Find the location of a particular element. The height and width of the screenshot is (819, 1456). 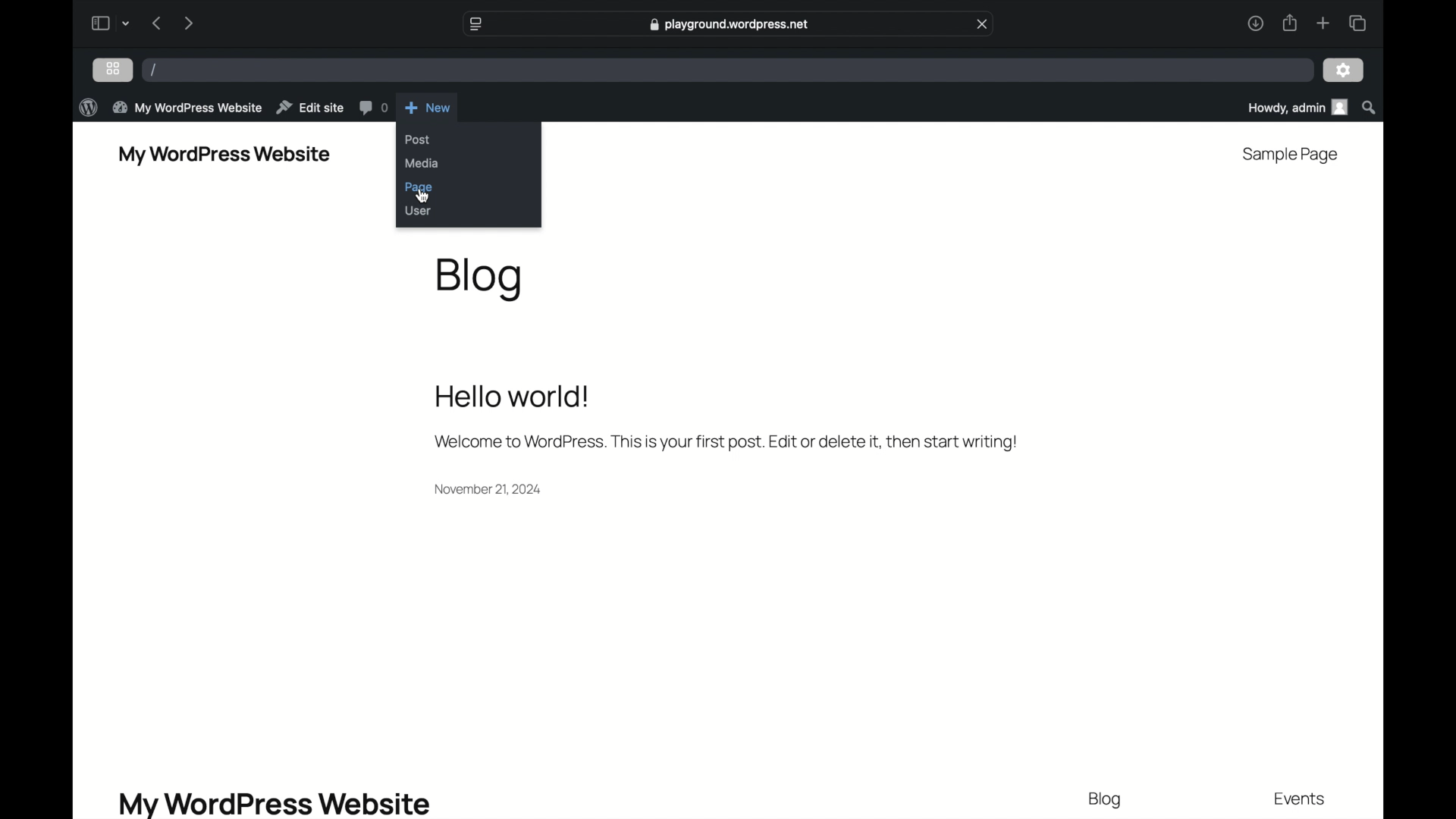

playground.wordpress.net is located at coordinates (726, 26).